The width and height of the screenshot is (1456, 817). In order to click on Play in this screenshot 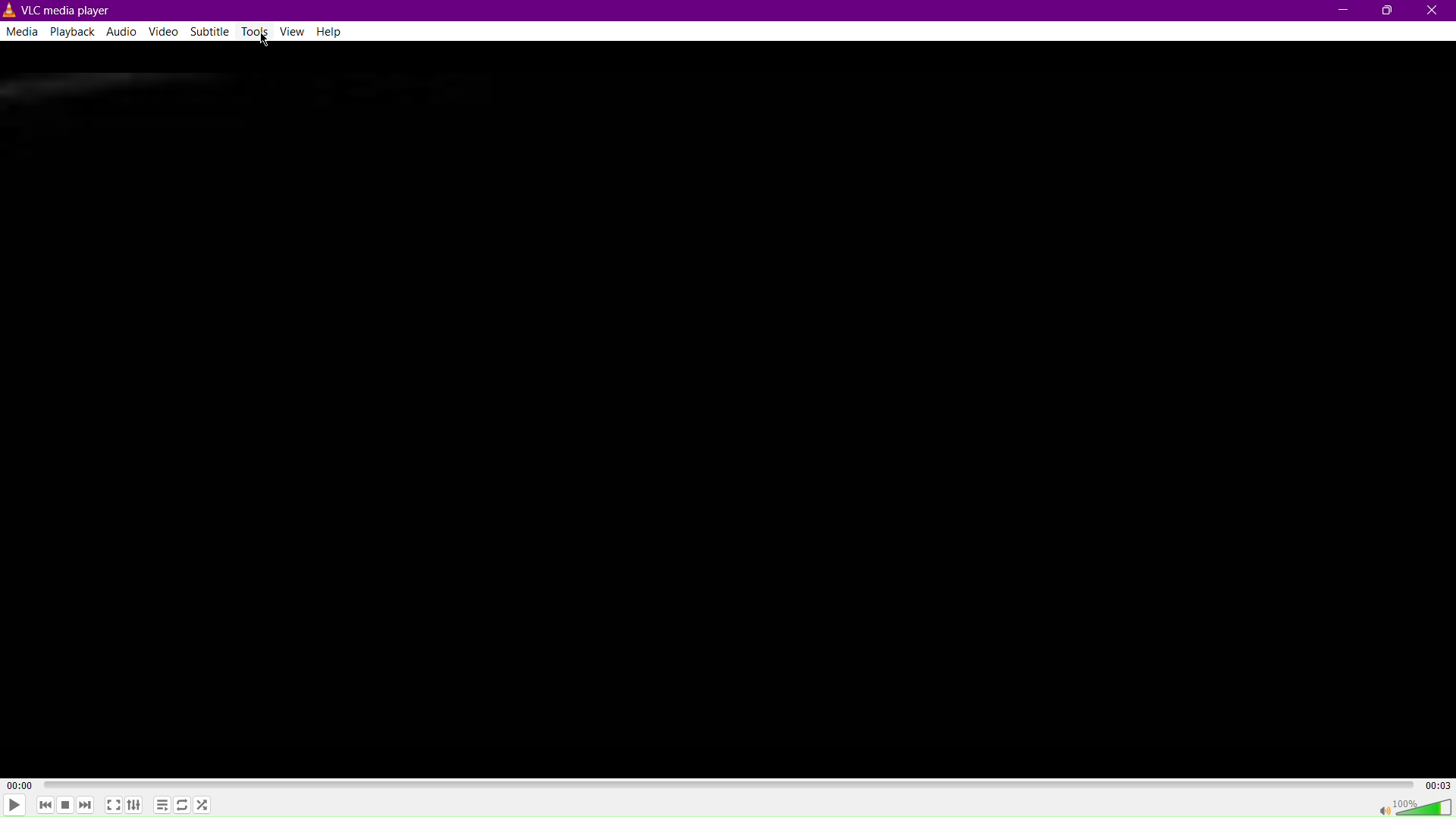, I will do `click(17, 805)`.